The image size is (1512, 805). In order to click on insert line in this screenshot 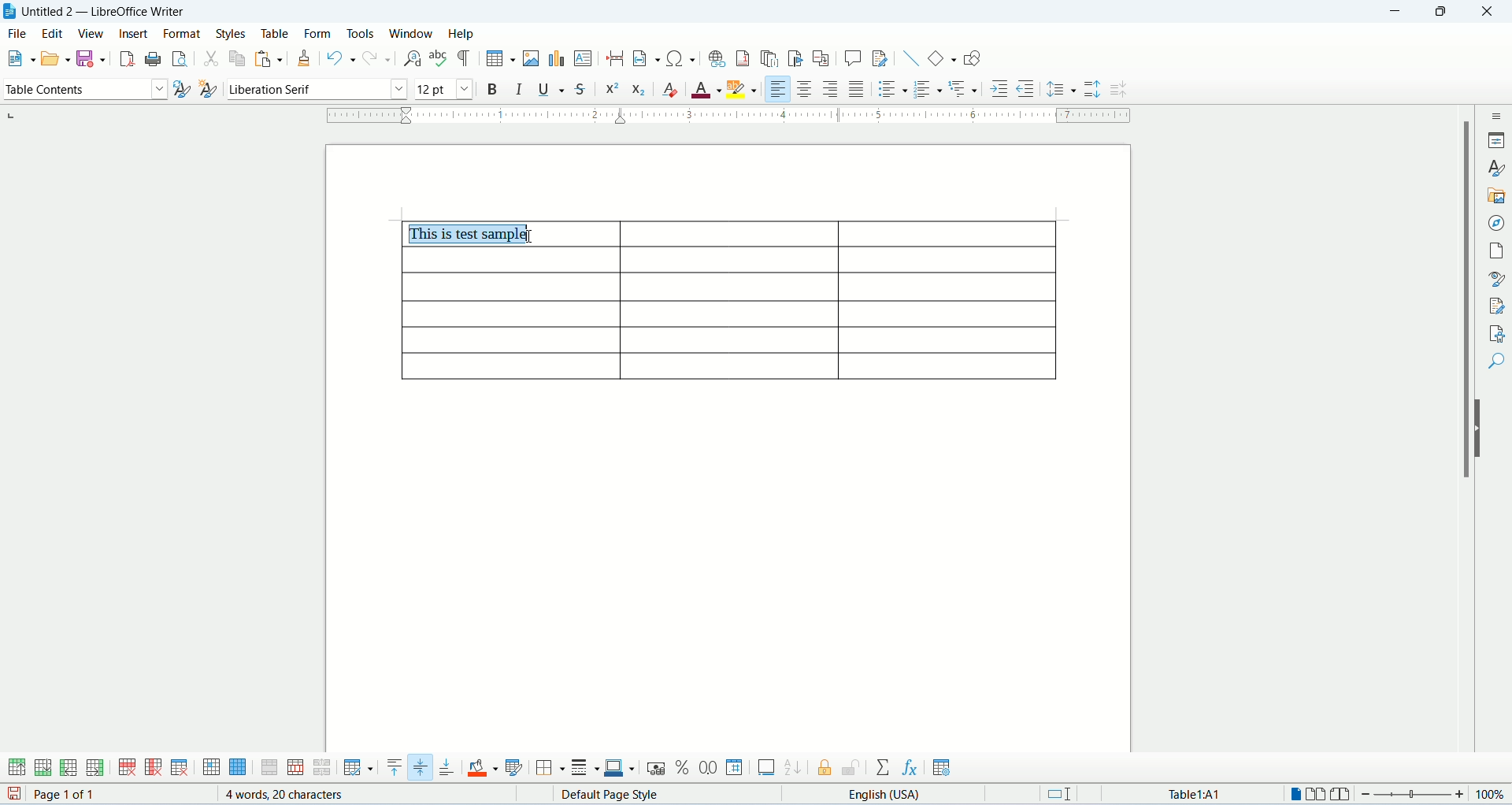, I will do `click(912, 59)`.